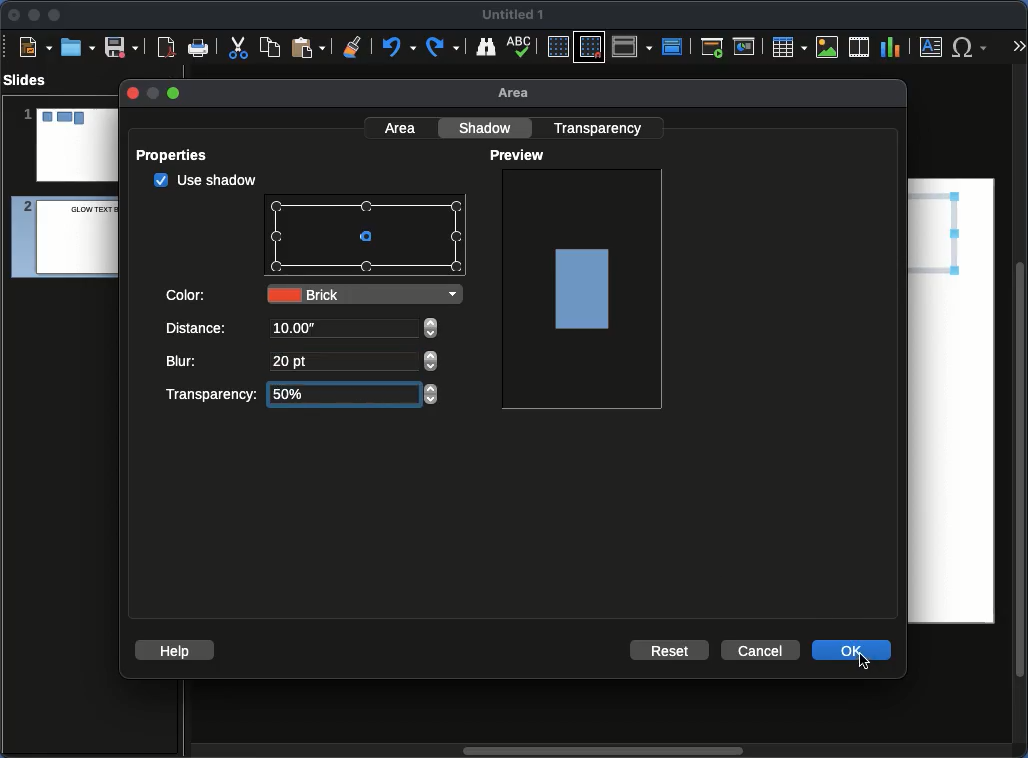 The width and height of the screenshot is (1028, 758). Describe the element at coordinates (35, 46) in the screenshot. I see `New` at that location.